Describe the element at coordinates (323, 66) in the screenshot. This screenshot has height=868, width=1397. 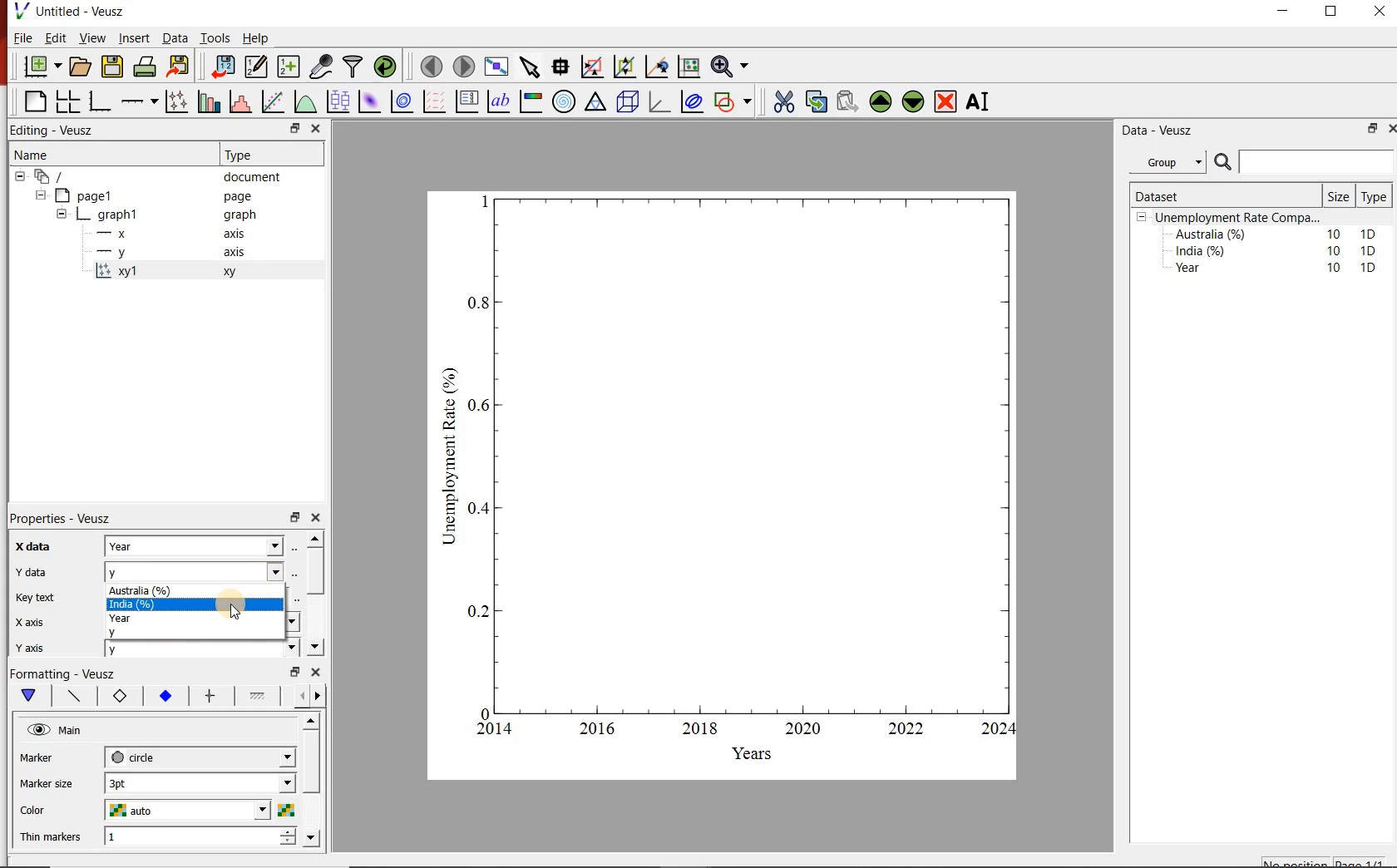
I see `caputure remote data` at that location.